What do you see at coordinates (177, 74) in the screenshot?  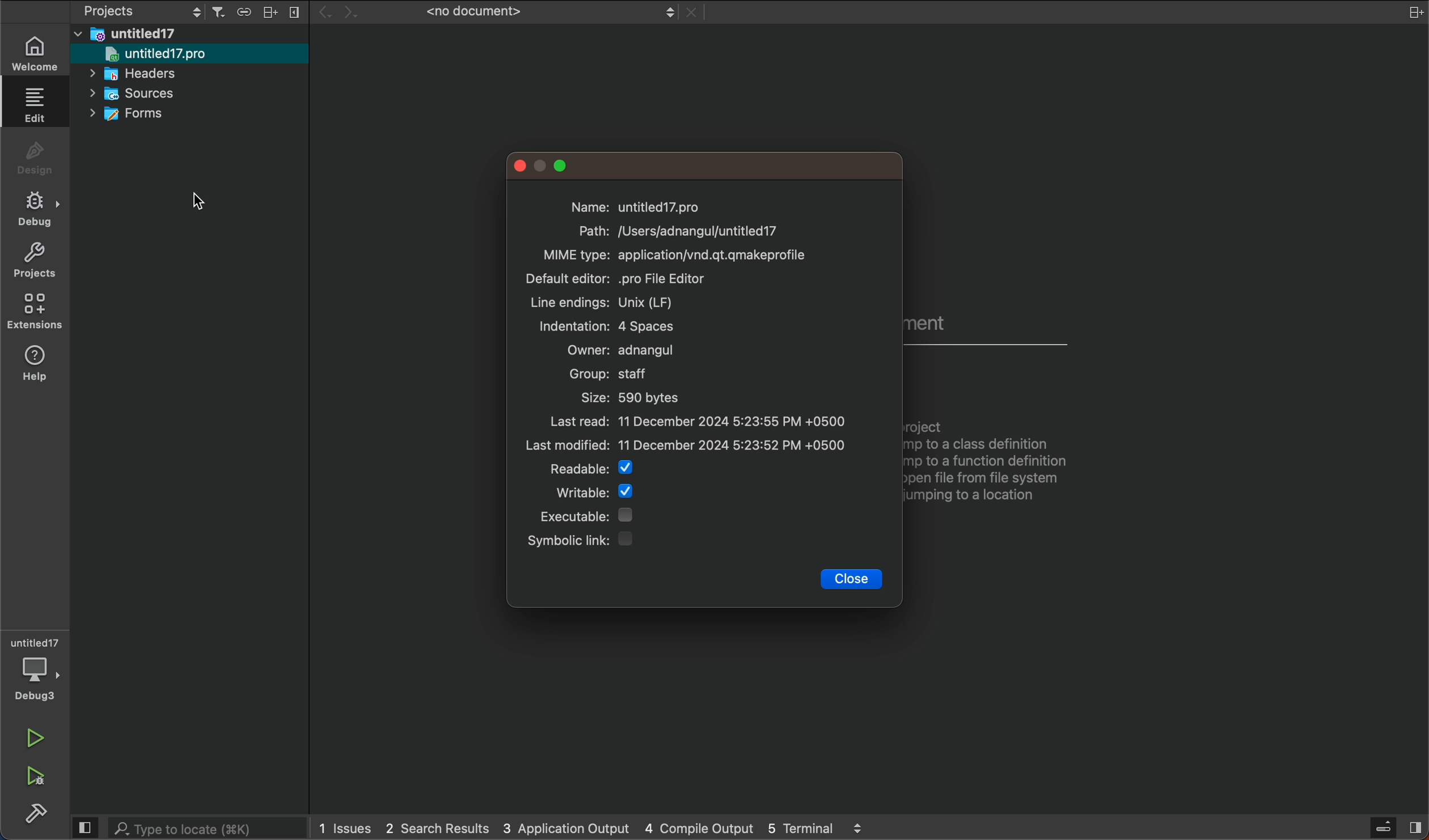 I see `headers` at bounding box center [177, 74].